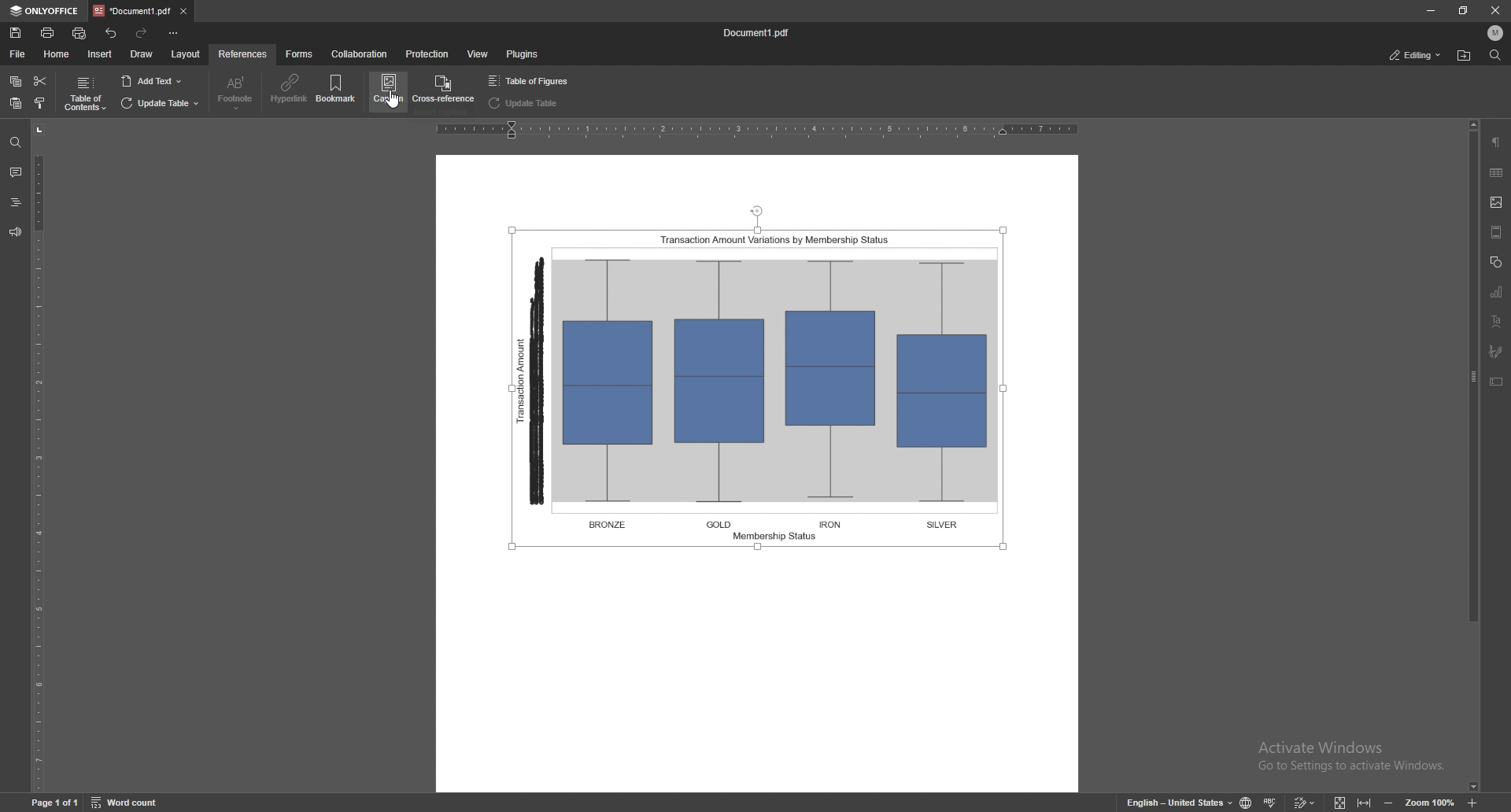 The height and width of the screenshot is (812, 1511). What do you see at coordinates (84, 94) in the screenshot?
I see `table of contents` at bounding box center [84, 94].